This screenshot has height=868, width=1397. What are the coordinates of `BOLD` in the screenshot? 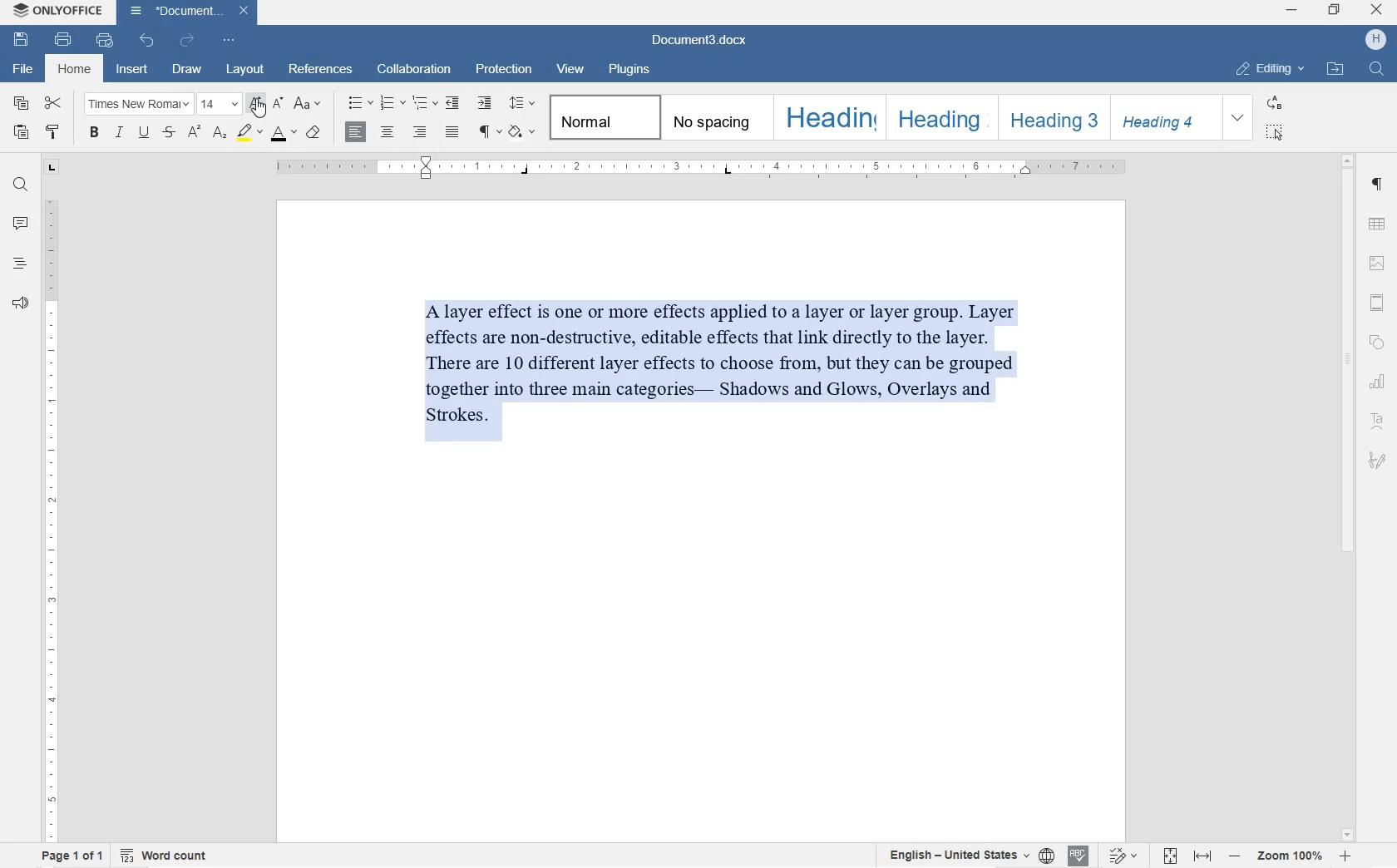 It's located at (93, 131).